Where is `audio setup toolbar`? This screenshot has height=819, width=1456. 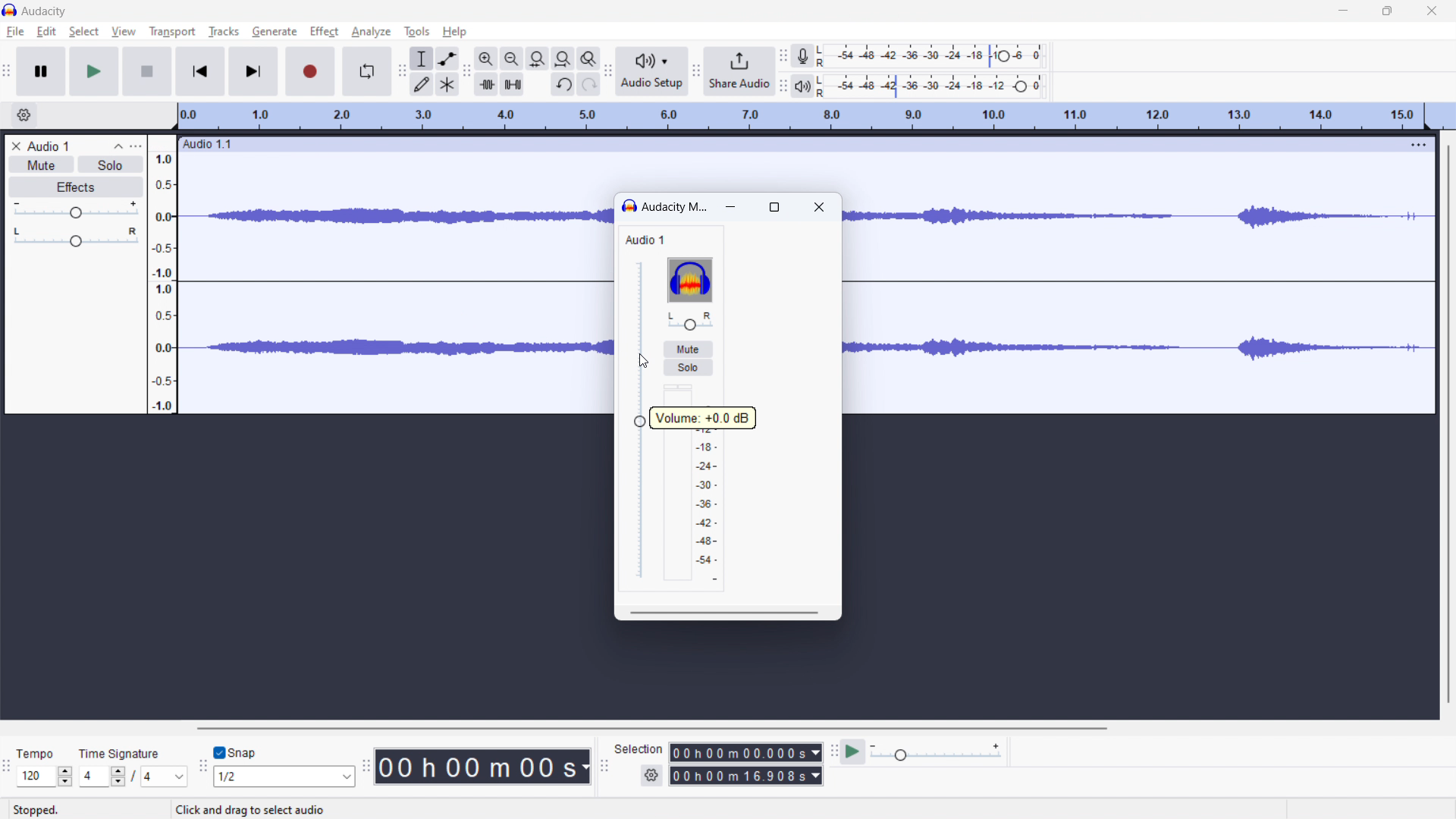 audio setup toolbar is located at coordinates (609, 71).